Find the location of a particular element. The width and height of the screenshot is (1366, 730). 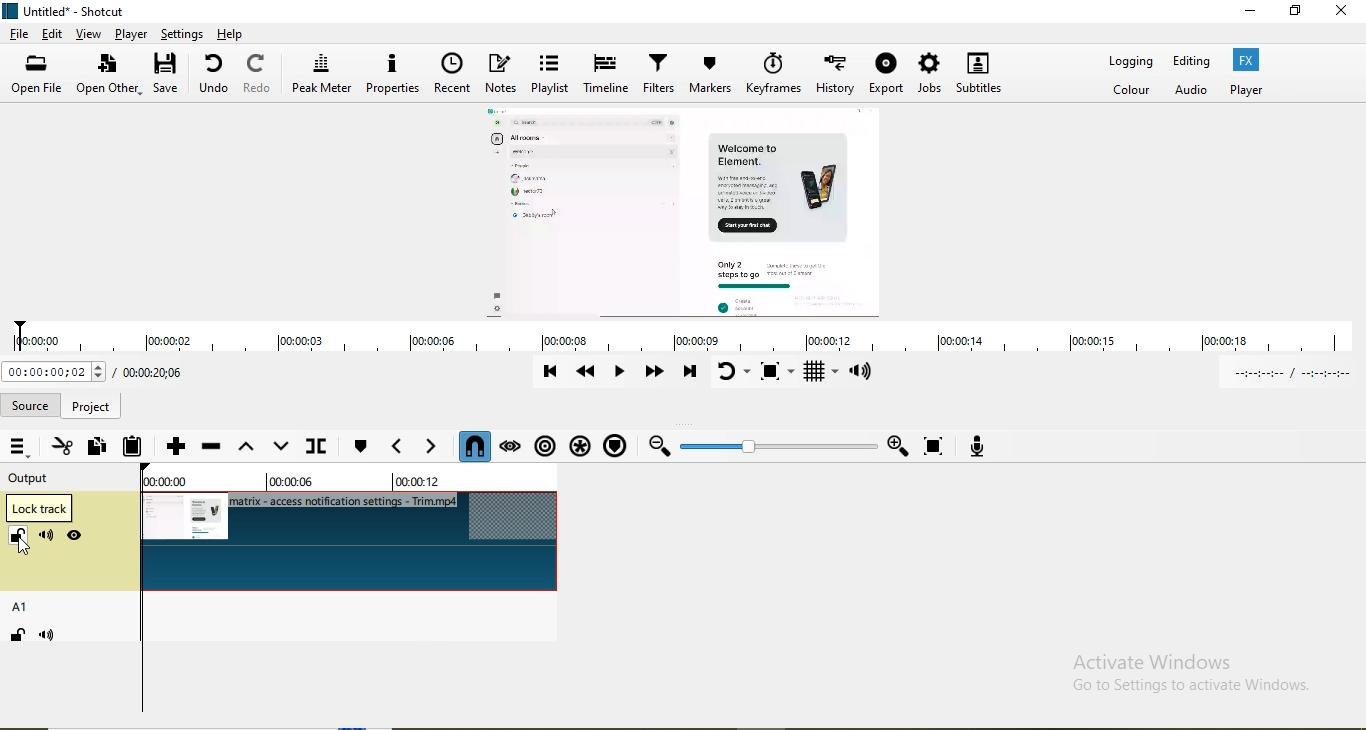

Edit is located at coordinates (54, 36).